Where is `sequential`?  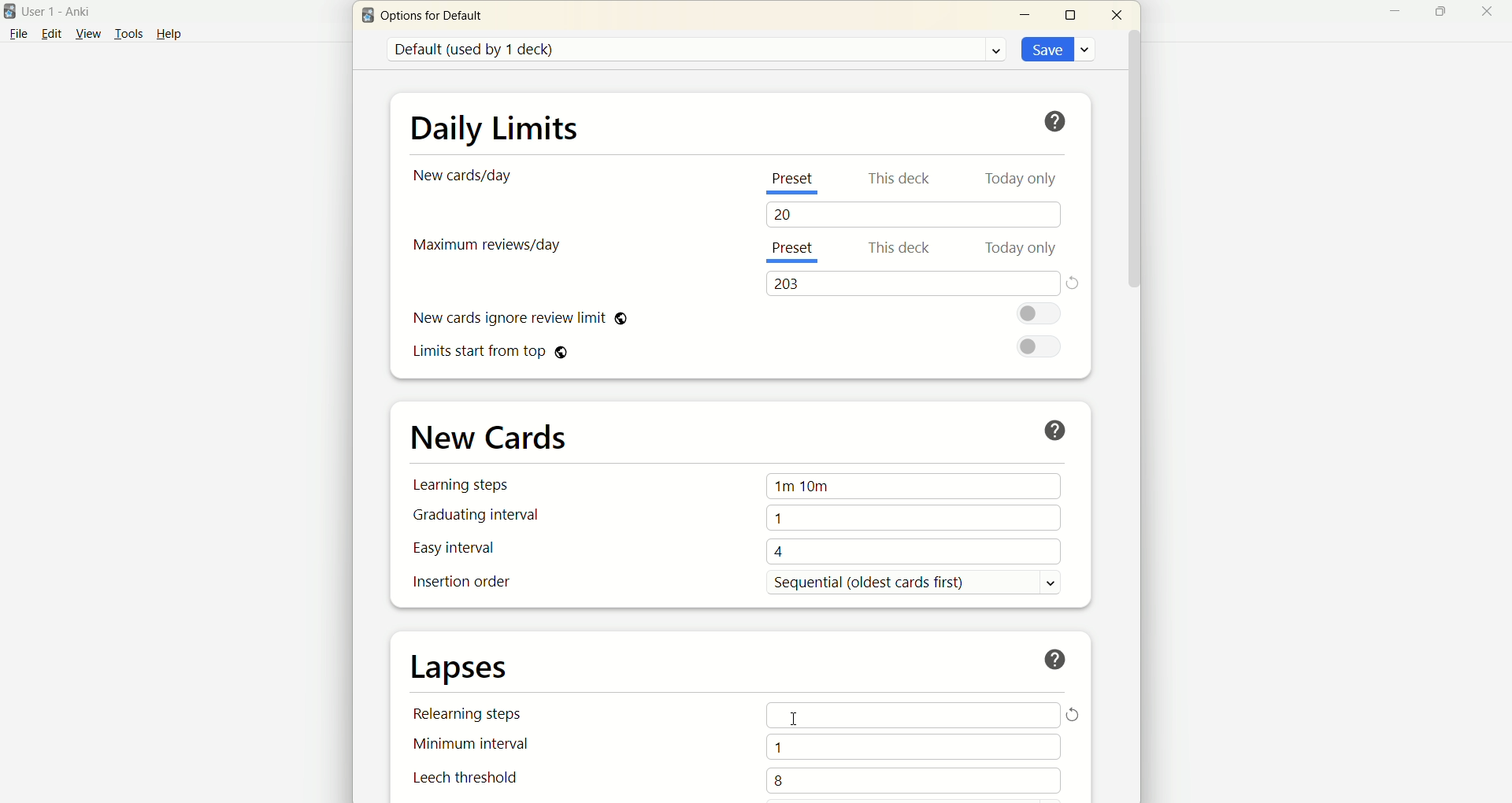 sequential is located at coordinates (923, 583).